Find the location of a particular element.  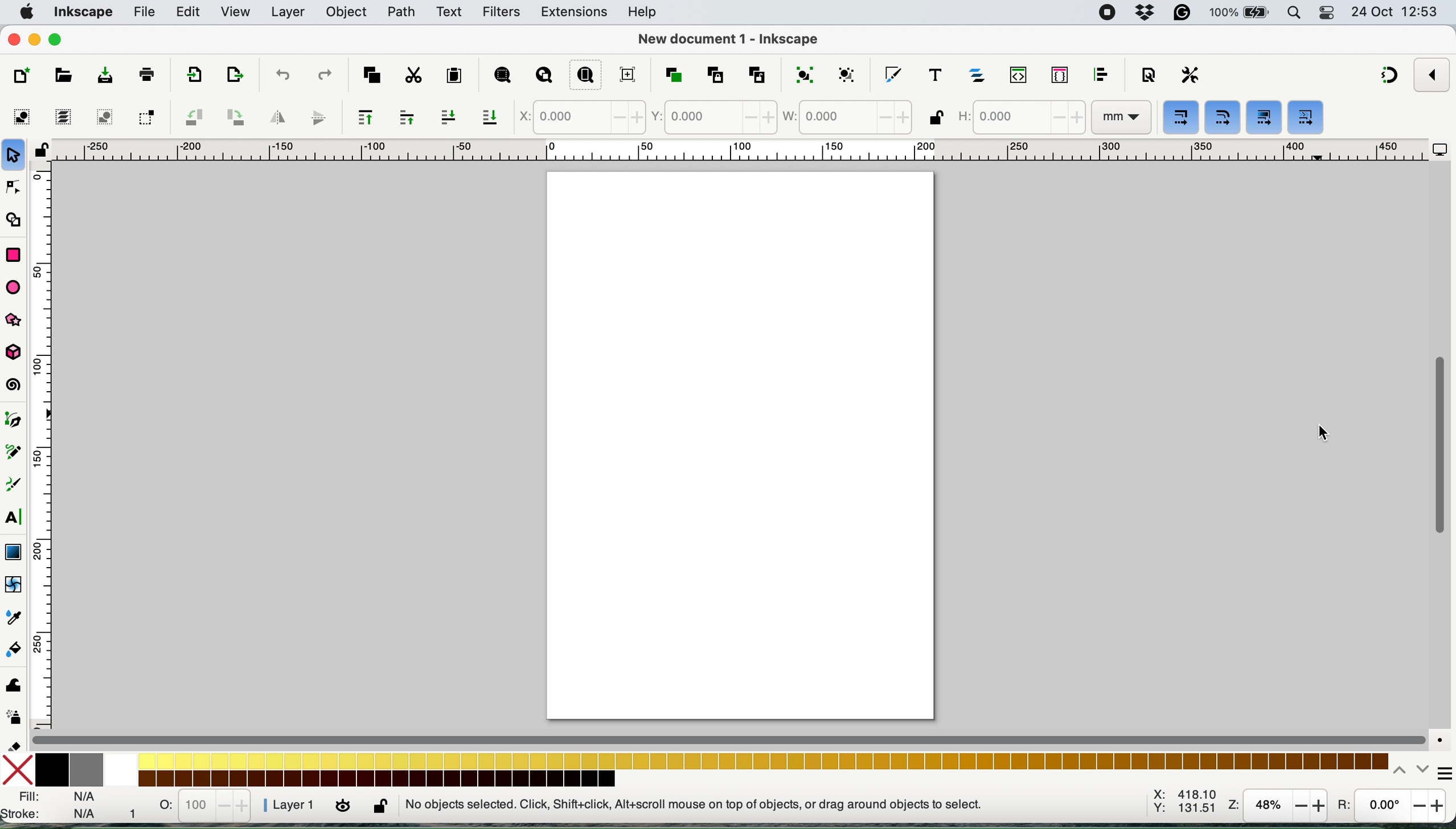

raise selection one step is located at coordinates (408, 118).